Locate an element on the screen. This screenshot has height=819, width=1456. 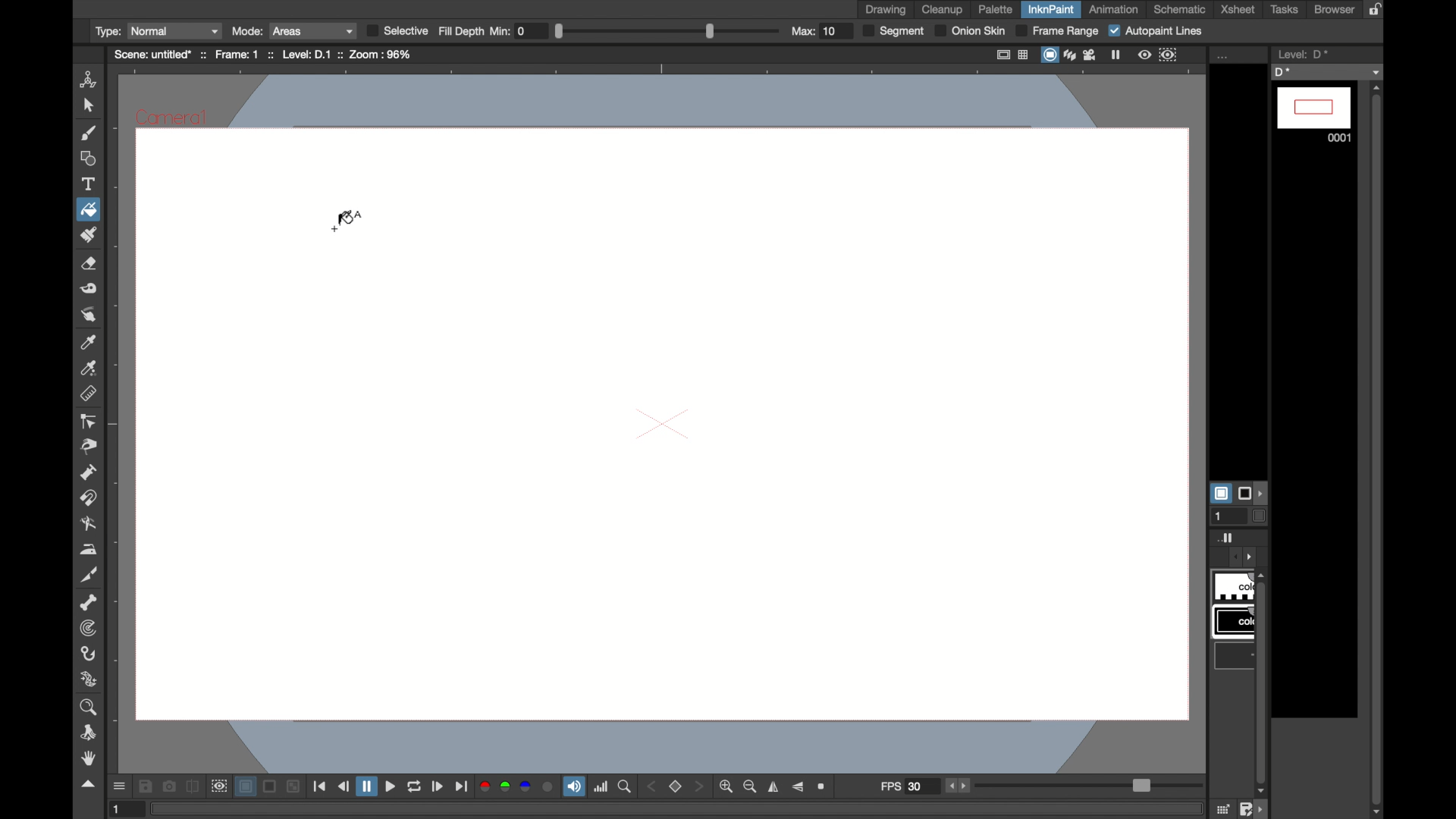
stop is located at coordinates (678, 786).